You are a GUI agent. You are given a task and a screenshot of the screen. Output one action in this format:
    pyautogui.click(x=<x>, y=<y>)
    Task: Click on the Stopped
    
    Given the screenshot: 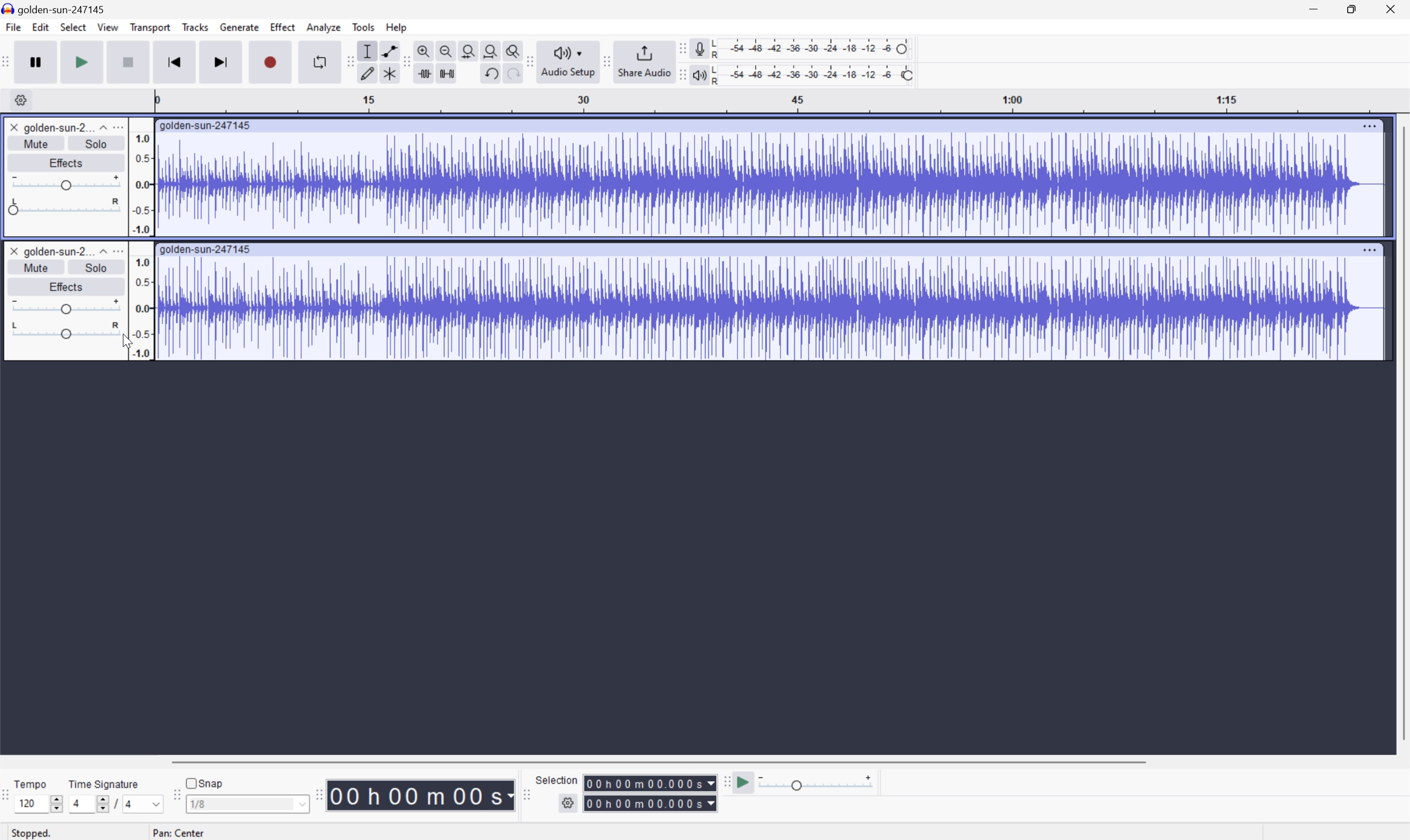 What is the action you would take?
    pyautogui.click(x=29, y=833)
    